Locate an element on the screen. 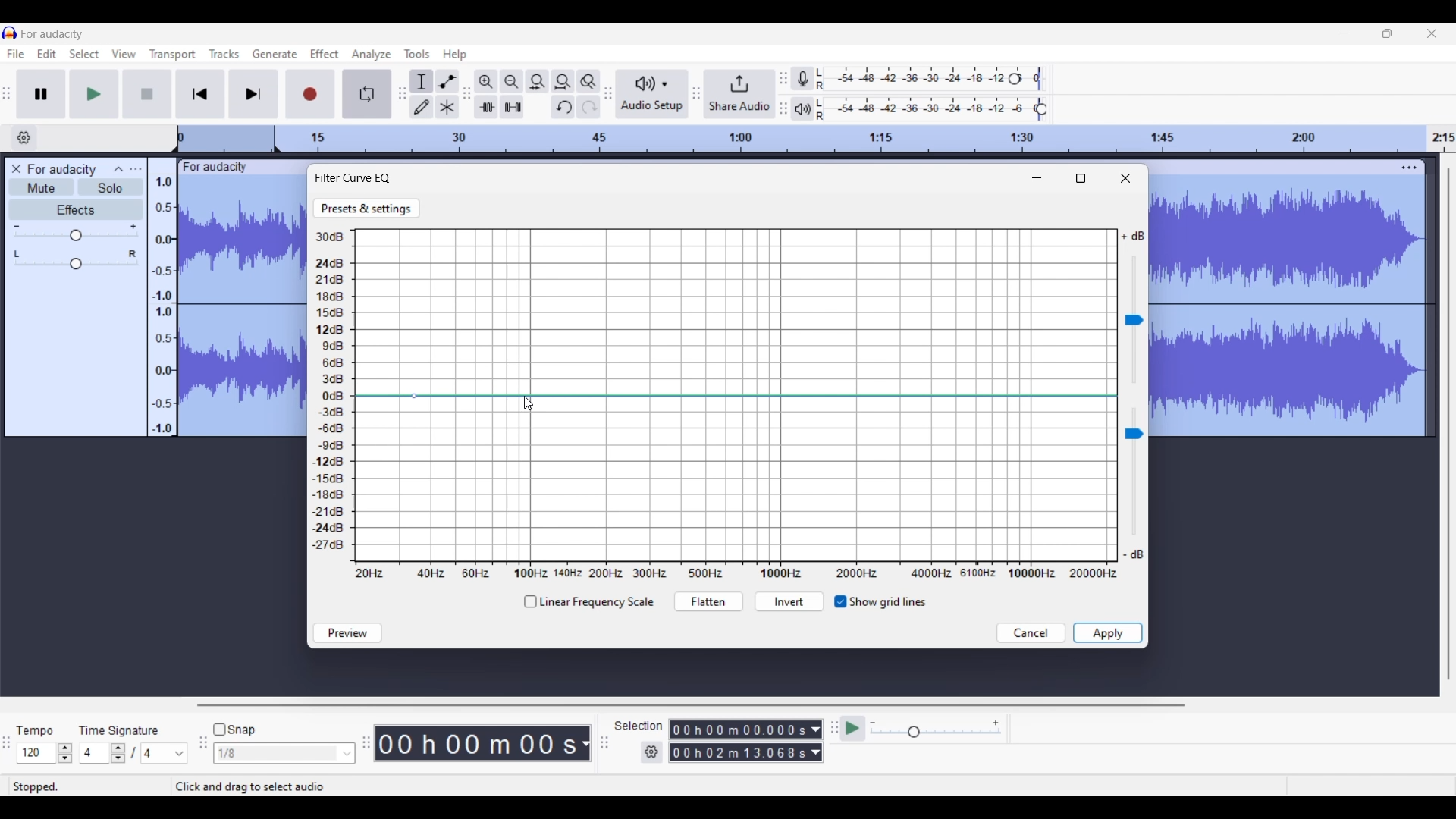 This screenshot has width=1456, height=819. Stop is located at coordinates (147, 93).